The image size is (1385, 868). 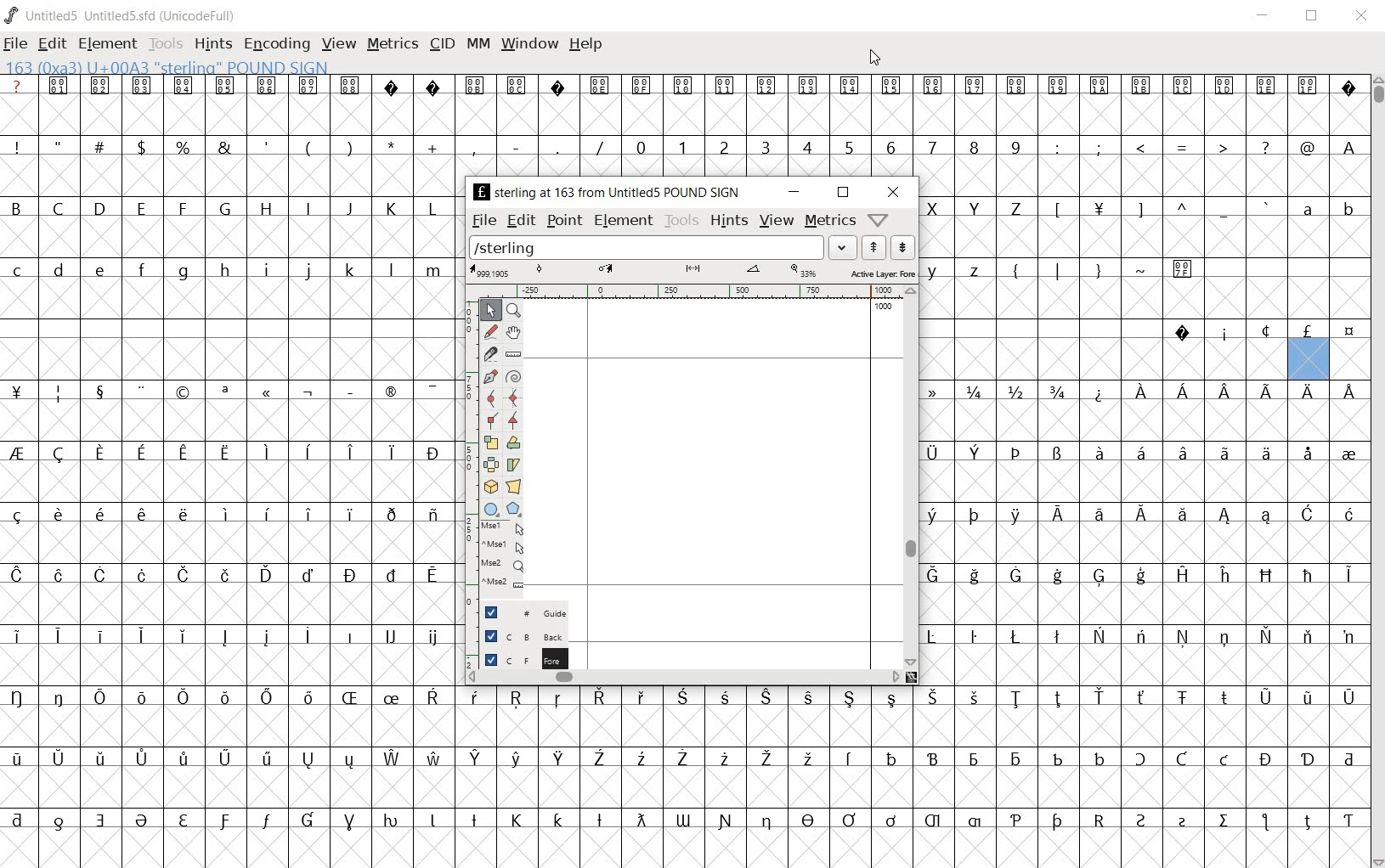 I want to click on Symbol, so click(x=1226, y=637).